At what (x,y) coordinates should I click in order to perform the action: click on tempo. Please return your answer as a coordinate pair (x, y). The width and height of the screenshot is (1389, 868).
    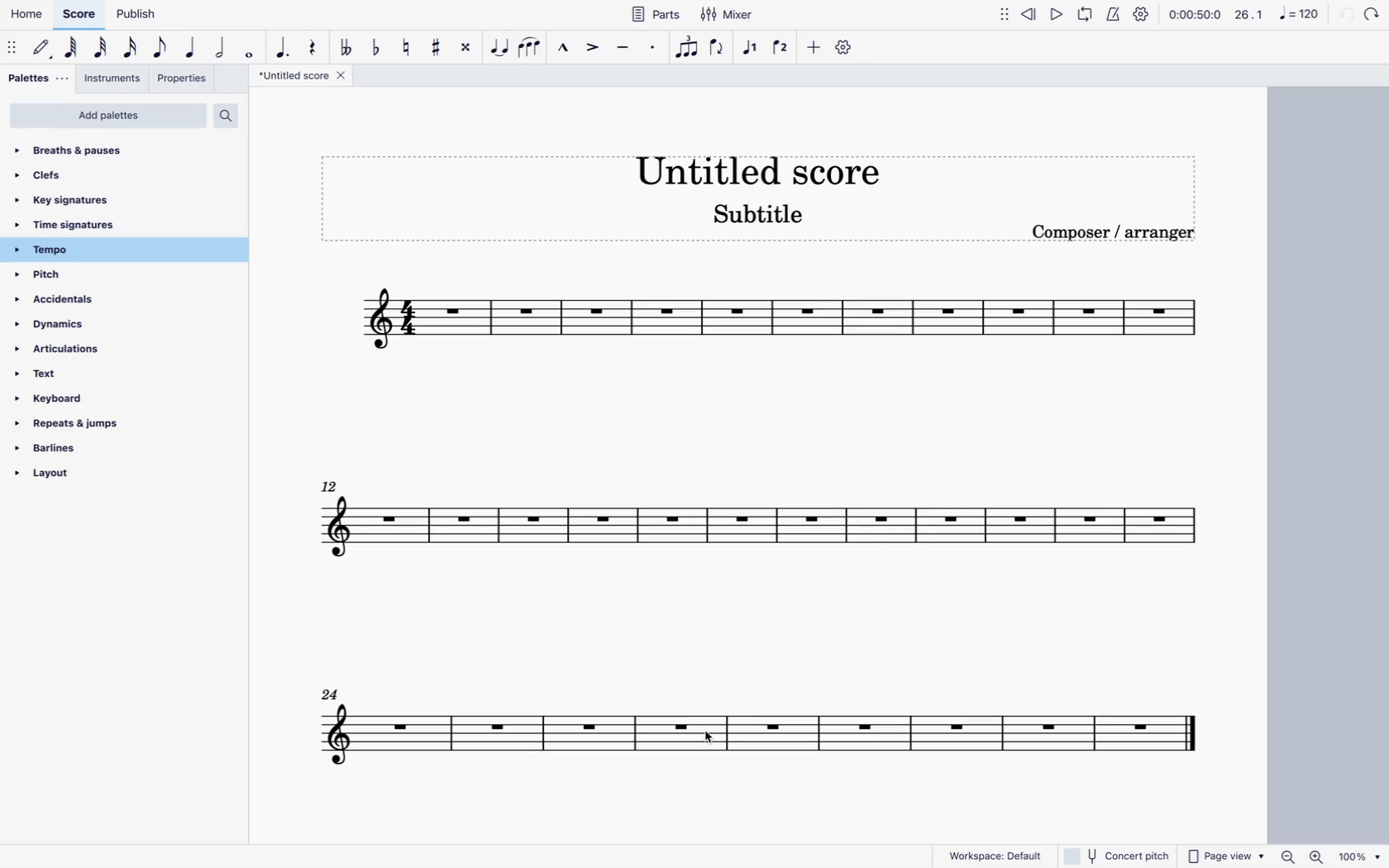
    Looking at the image, I should click on (105, 251).